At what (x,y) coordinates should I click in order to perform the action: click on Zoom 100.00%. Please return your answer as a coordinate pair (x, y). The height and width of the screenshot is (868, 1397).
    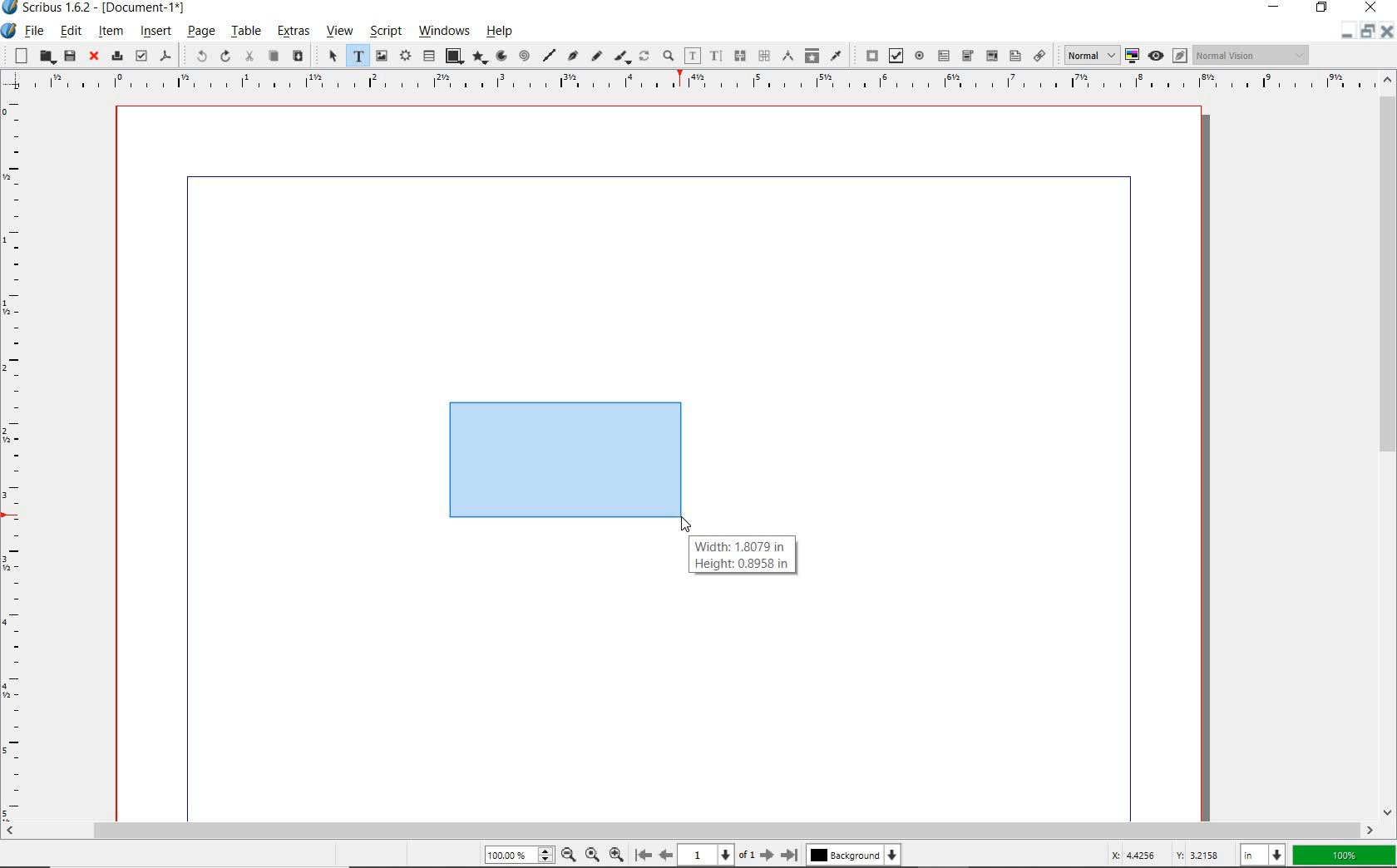
    Looking at the image, I should click on (520, 856).